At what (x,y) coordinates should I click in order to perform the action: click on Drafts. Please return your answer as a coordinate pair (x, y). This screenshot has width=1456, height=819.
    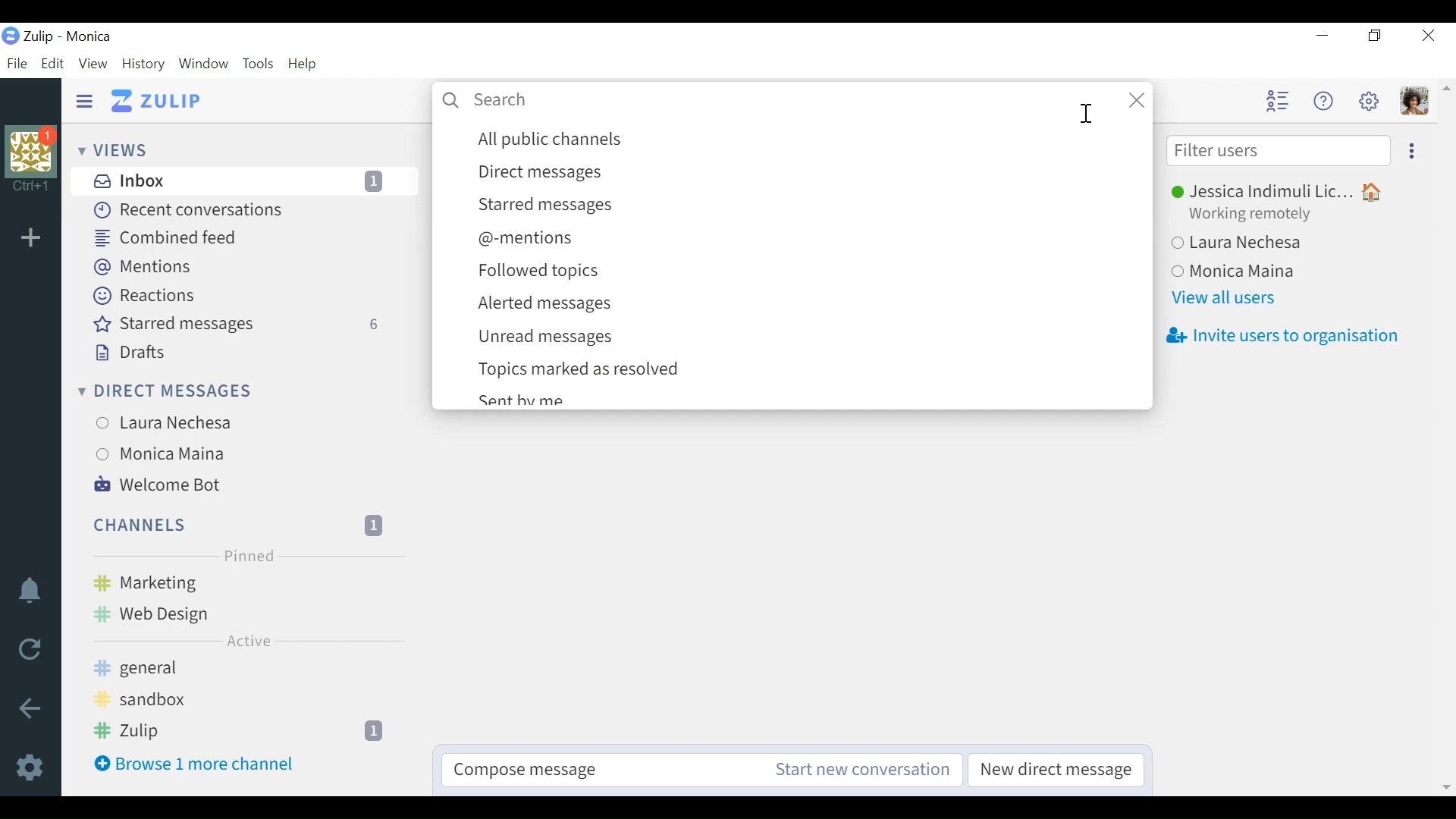
    Looking at the image, I should click on (130, 351).